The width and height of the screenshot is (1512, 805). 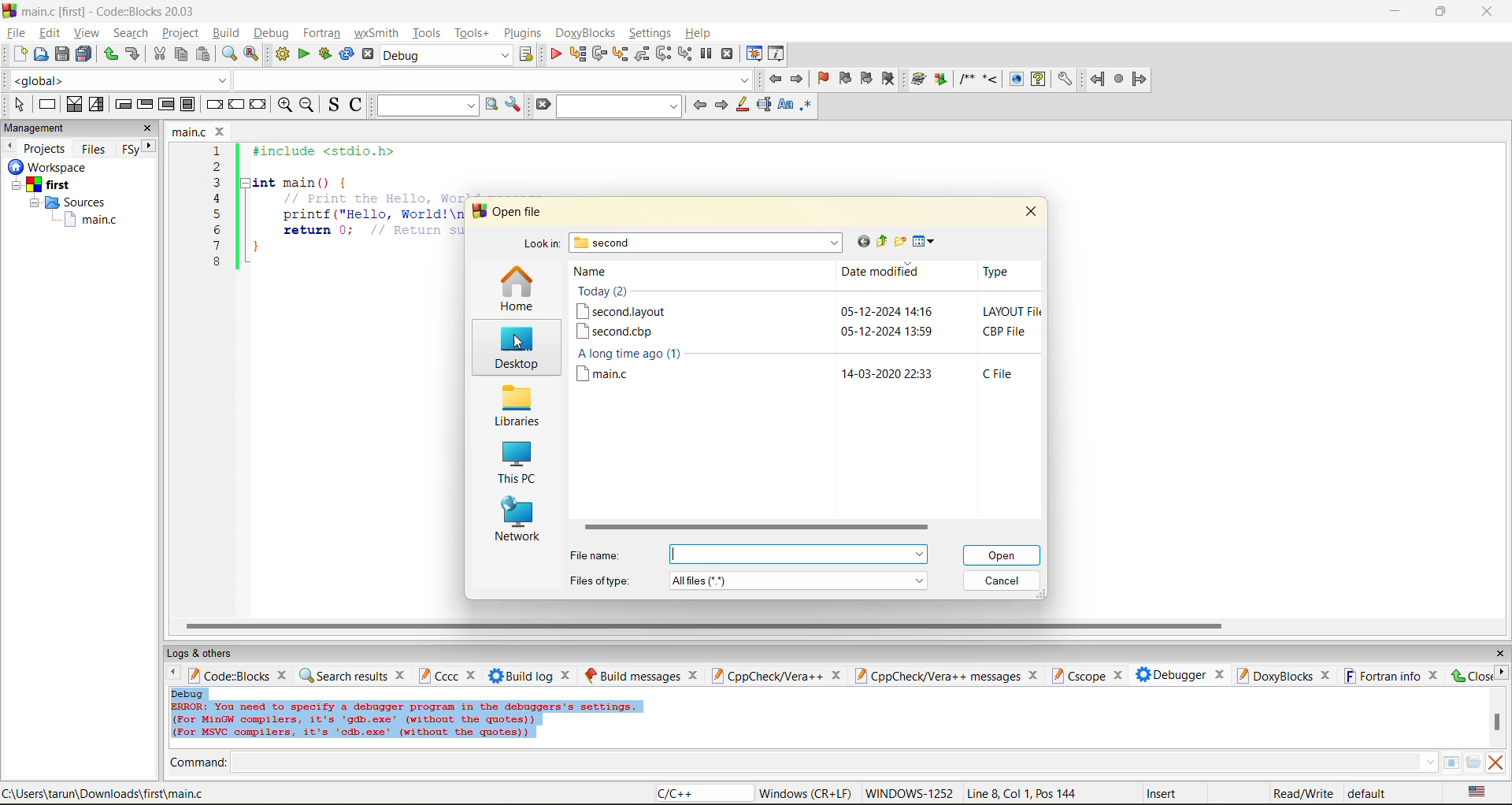 What do you see at coordinates (72, 202) in the screenshot?
I see `Sources` at bounding box center [72, 202].